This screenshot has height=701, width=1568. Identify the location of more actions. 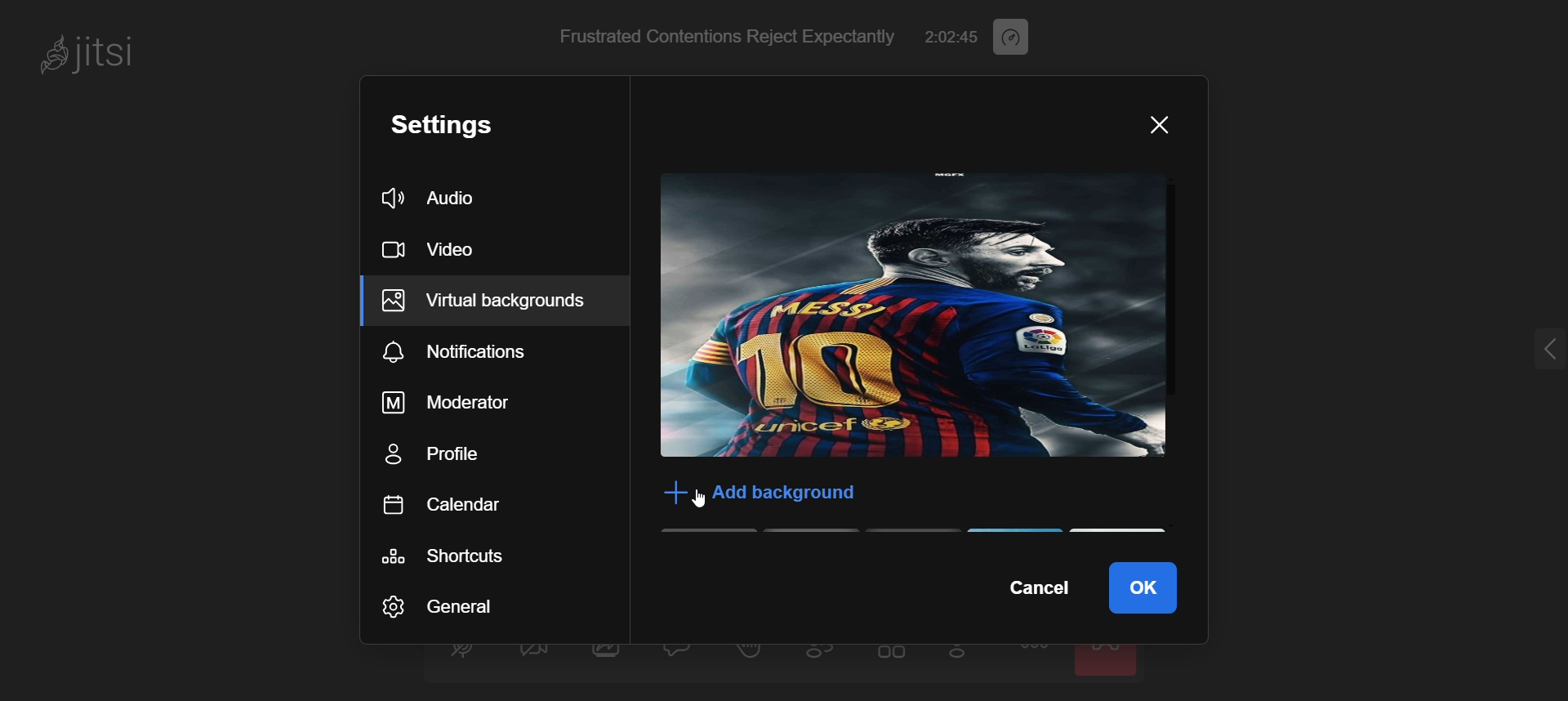
(1036, 659).